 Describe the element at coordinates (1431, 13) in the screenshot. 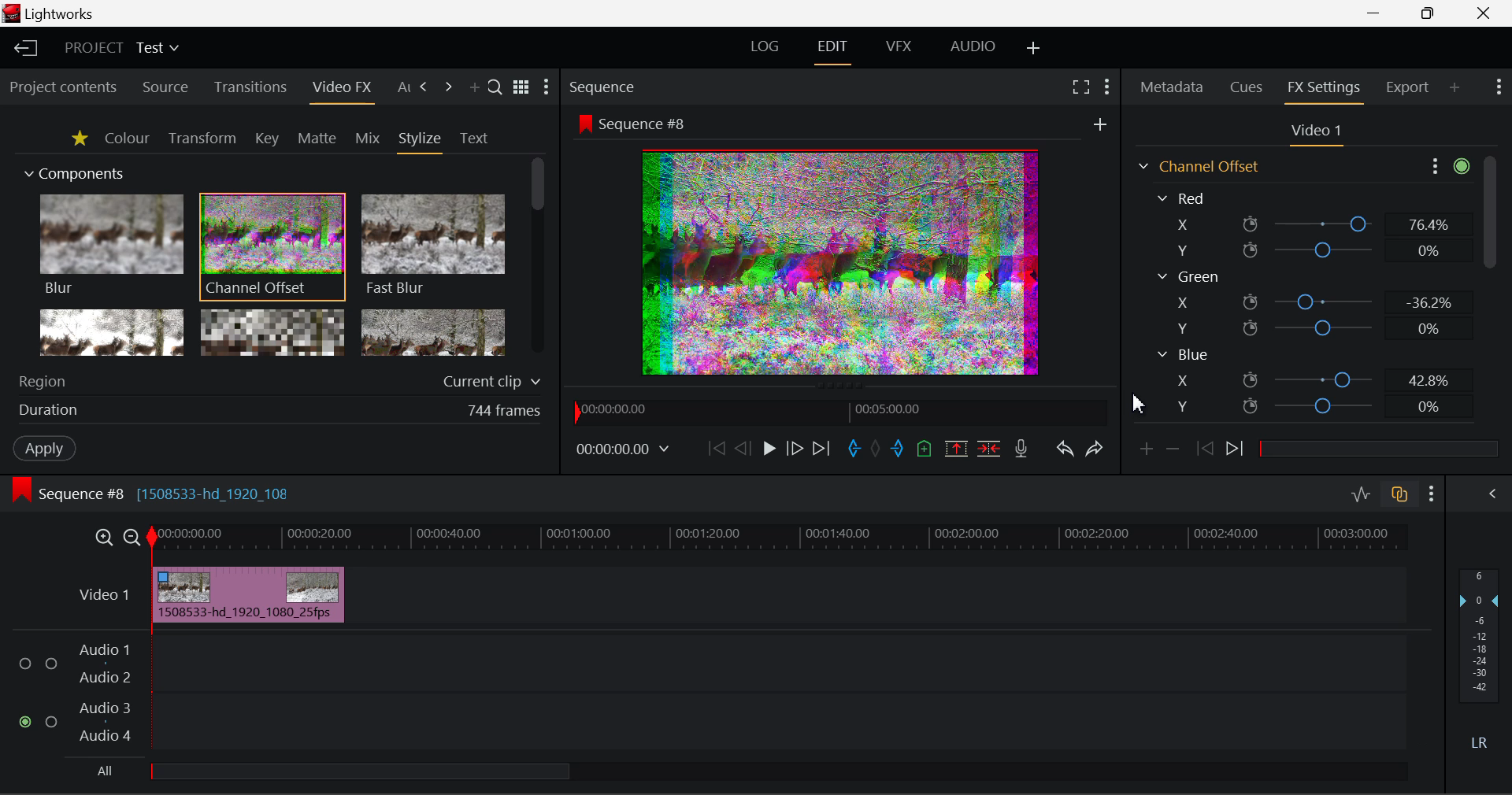

I see `Minimize` at that location.